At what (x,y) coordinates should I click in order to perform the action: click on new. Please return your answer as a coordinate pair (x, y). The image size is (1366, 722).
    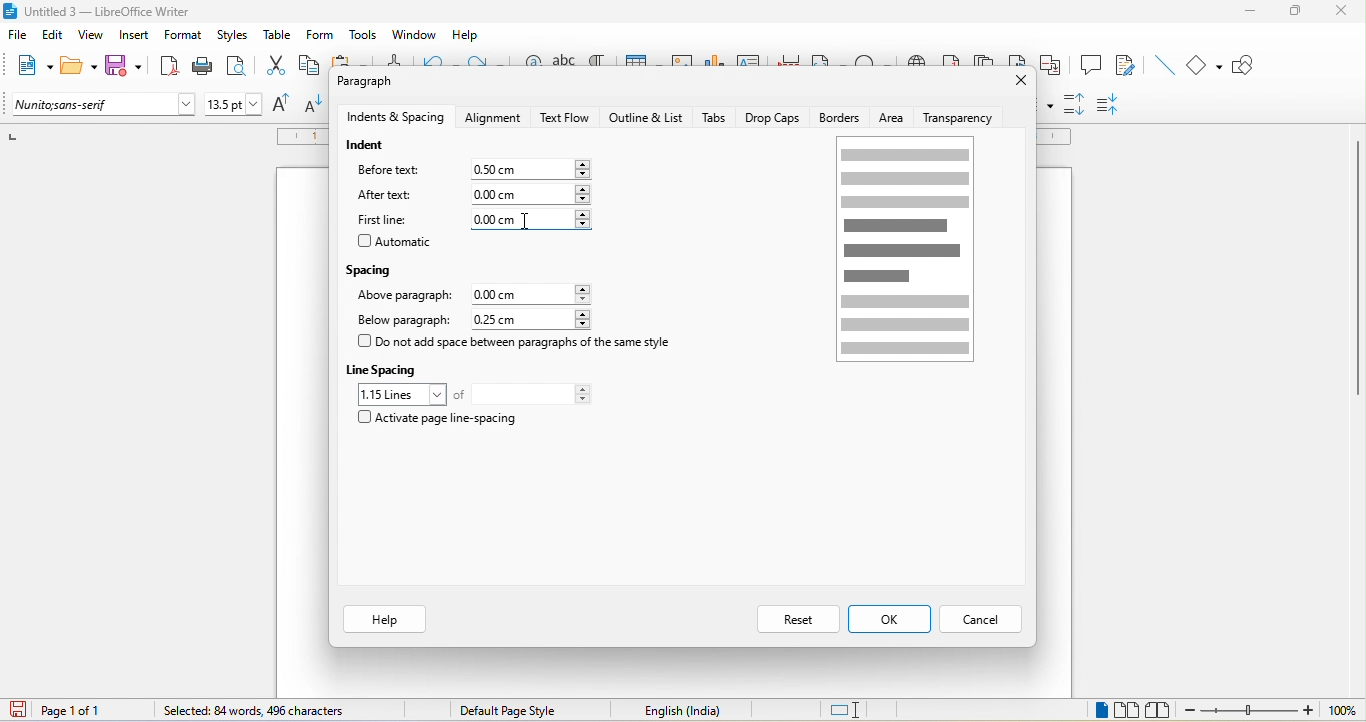
    Looking at the image, I should click on (31, 68).